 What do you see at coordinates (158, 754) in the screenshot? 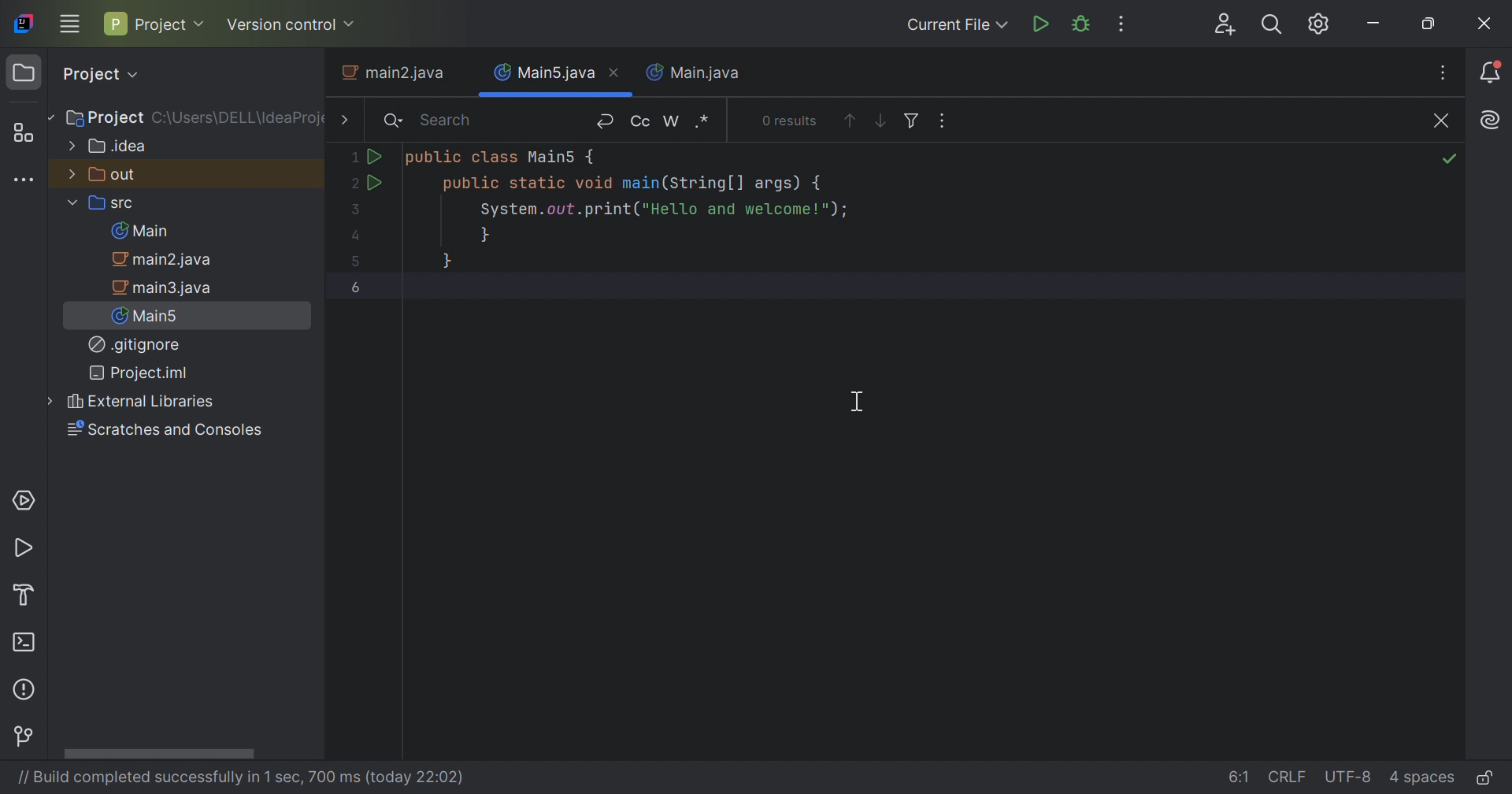
I see `Scroll bar` at bounding box center [158, 754].